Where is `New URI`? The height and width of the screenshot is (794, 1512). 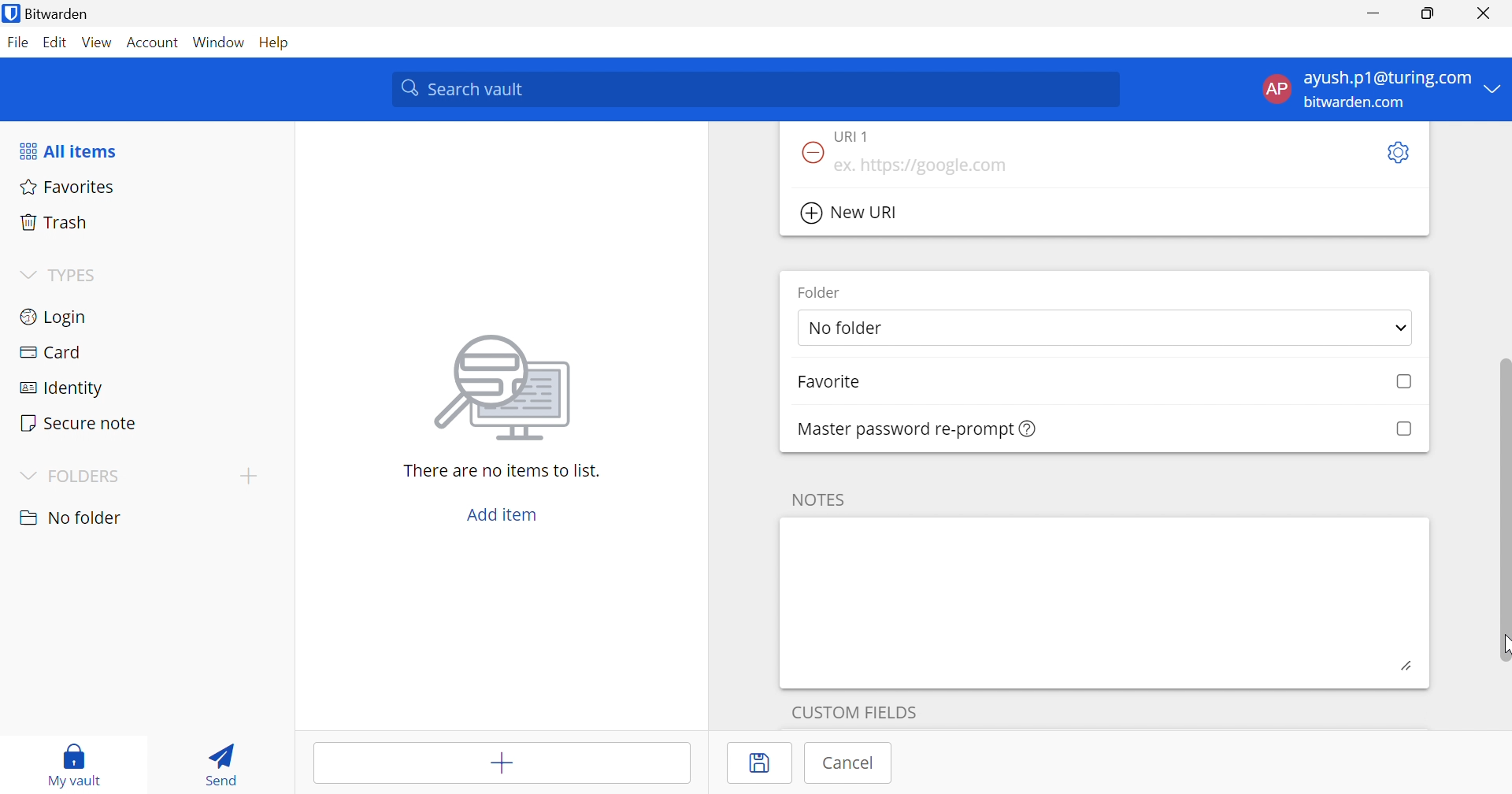
New URI is located at coordinates (851, 213).